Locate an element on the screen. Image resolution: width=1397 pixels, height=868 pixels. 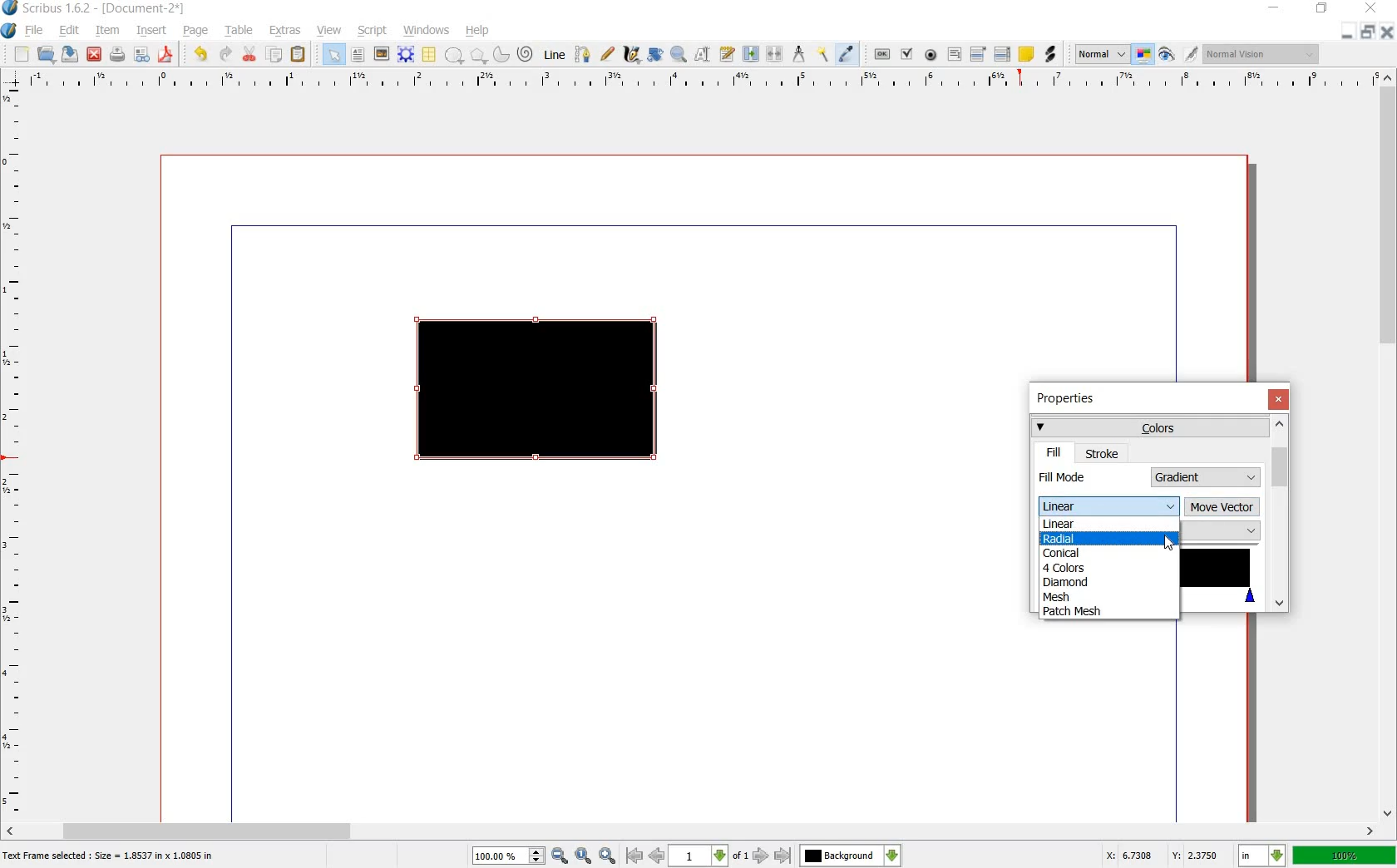
page is located at coordinates (196, 32).